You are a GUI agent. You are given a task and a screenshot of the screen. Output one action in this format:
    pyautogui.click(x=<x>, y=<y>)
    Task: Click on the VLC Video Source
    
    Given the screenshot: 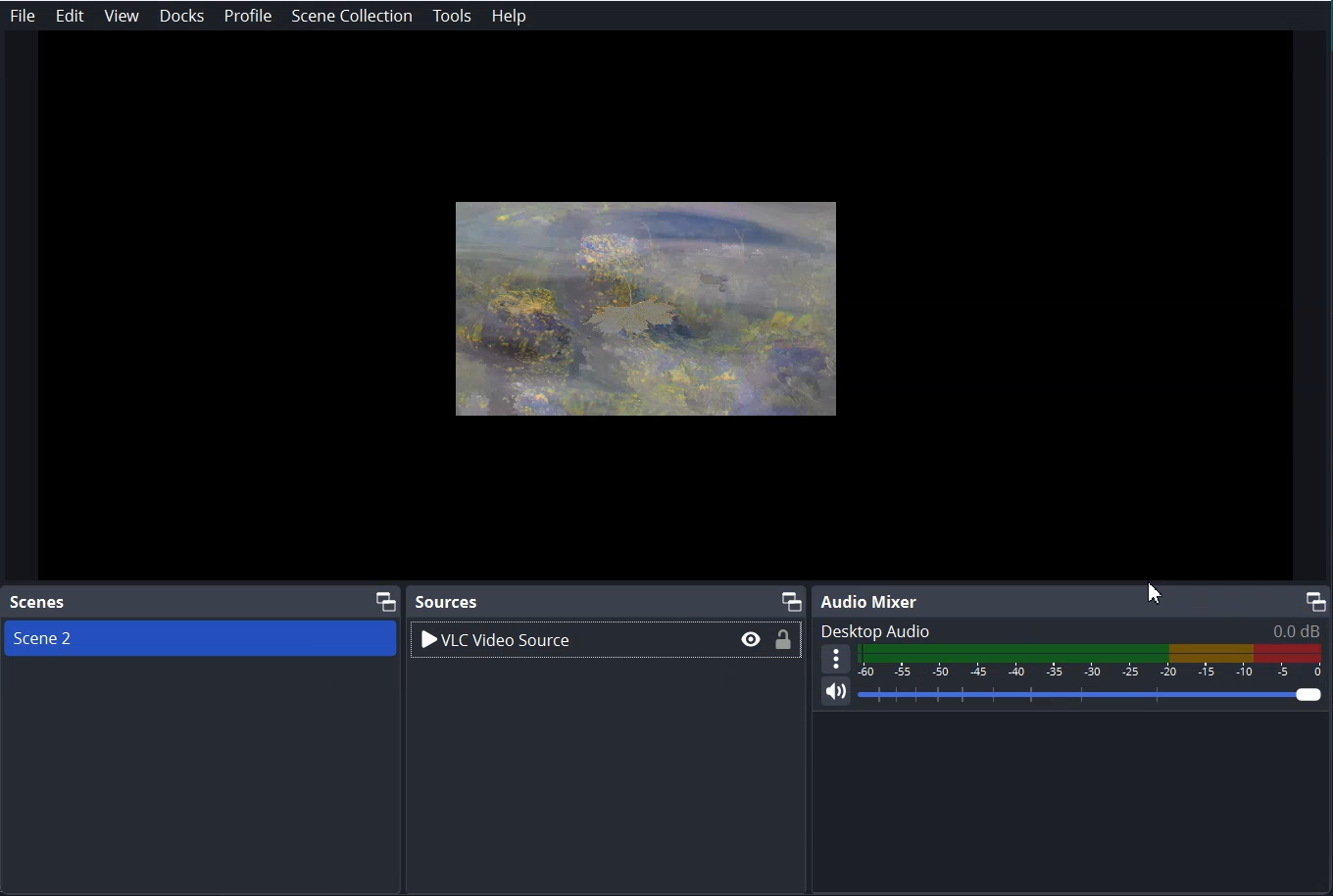 What is the action you would take?
    pyautogui.click(x=536, y=640)
    